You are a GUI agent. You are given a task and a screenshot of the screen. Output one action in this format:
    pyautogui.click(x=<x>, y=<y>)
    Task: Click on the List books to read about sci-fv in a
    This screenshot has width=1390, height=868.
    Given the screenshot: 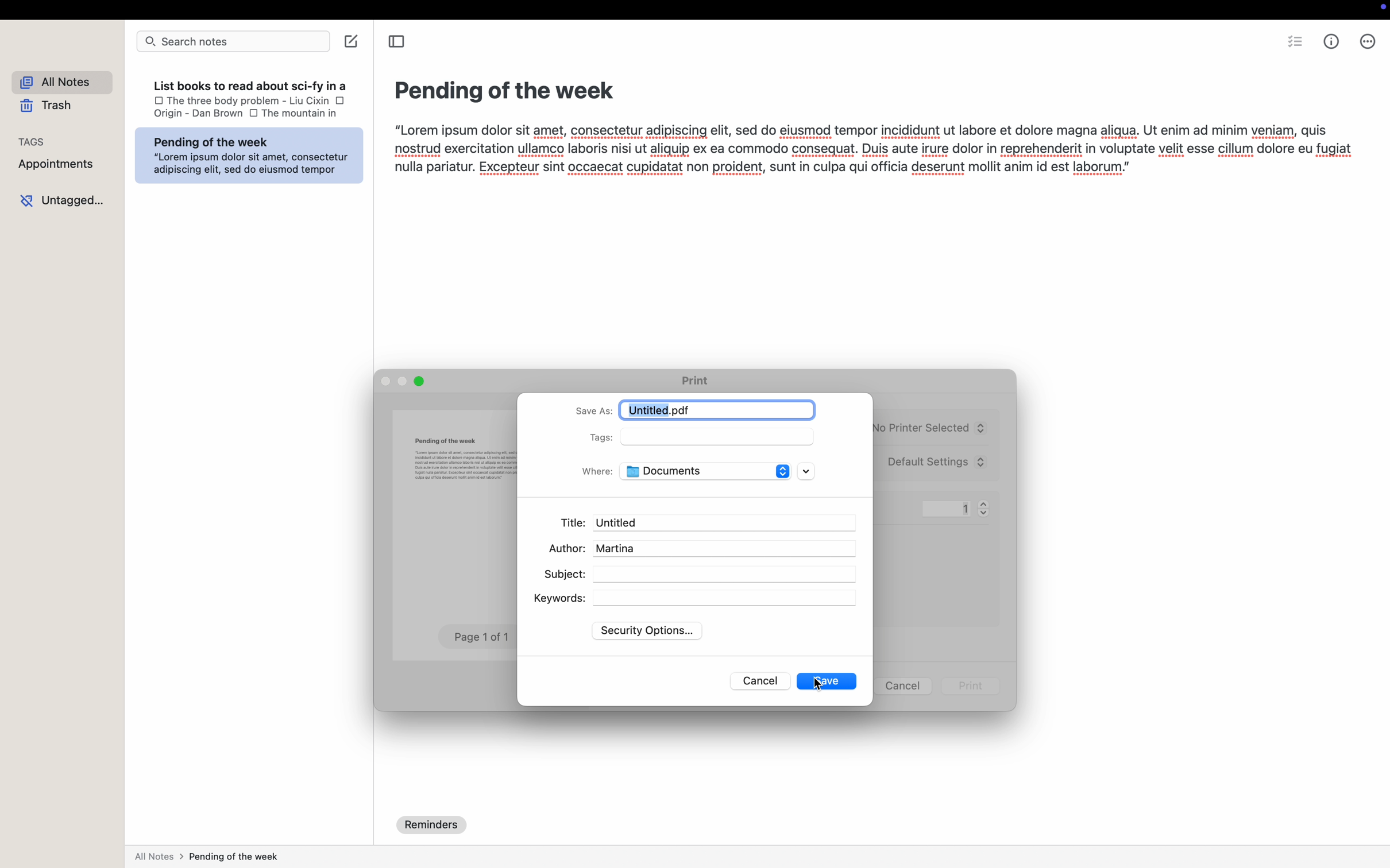 What is the action you would take?
    pyautogui.click(x=249, y=83)
    